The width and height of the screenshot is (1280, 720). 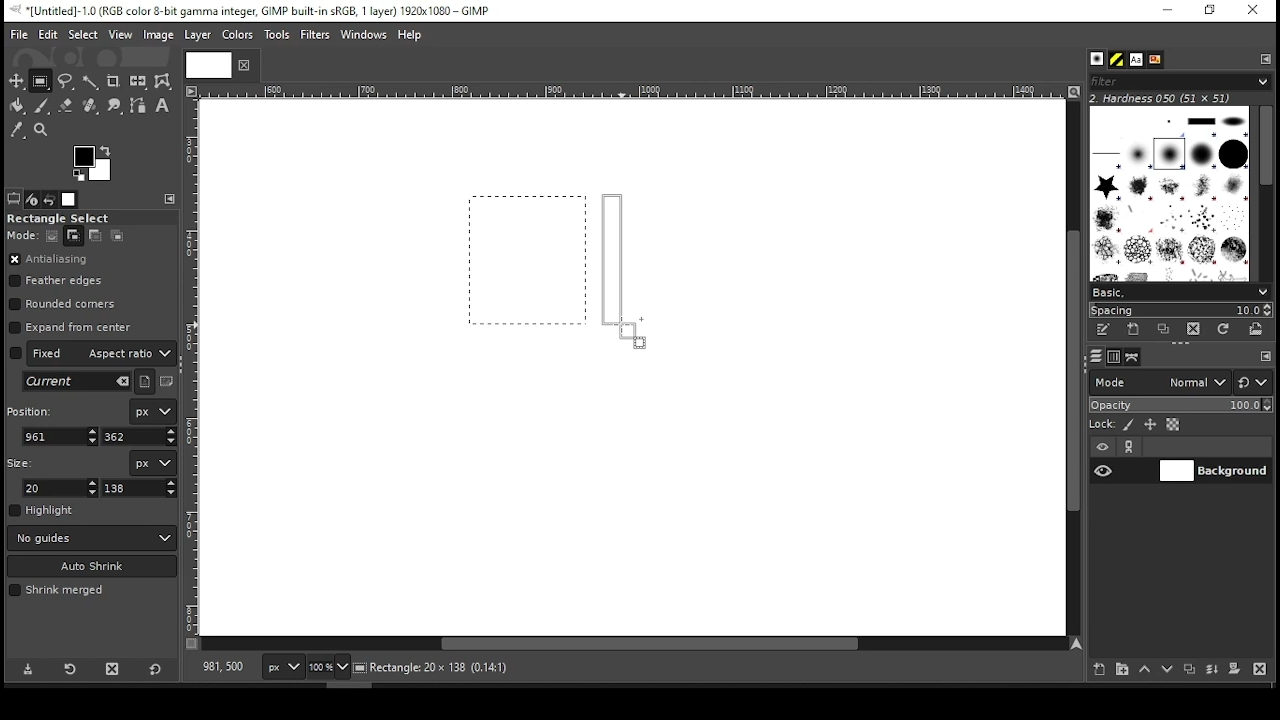 I want to click on 818,363, so click(x=221, y=667).